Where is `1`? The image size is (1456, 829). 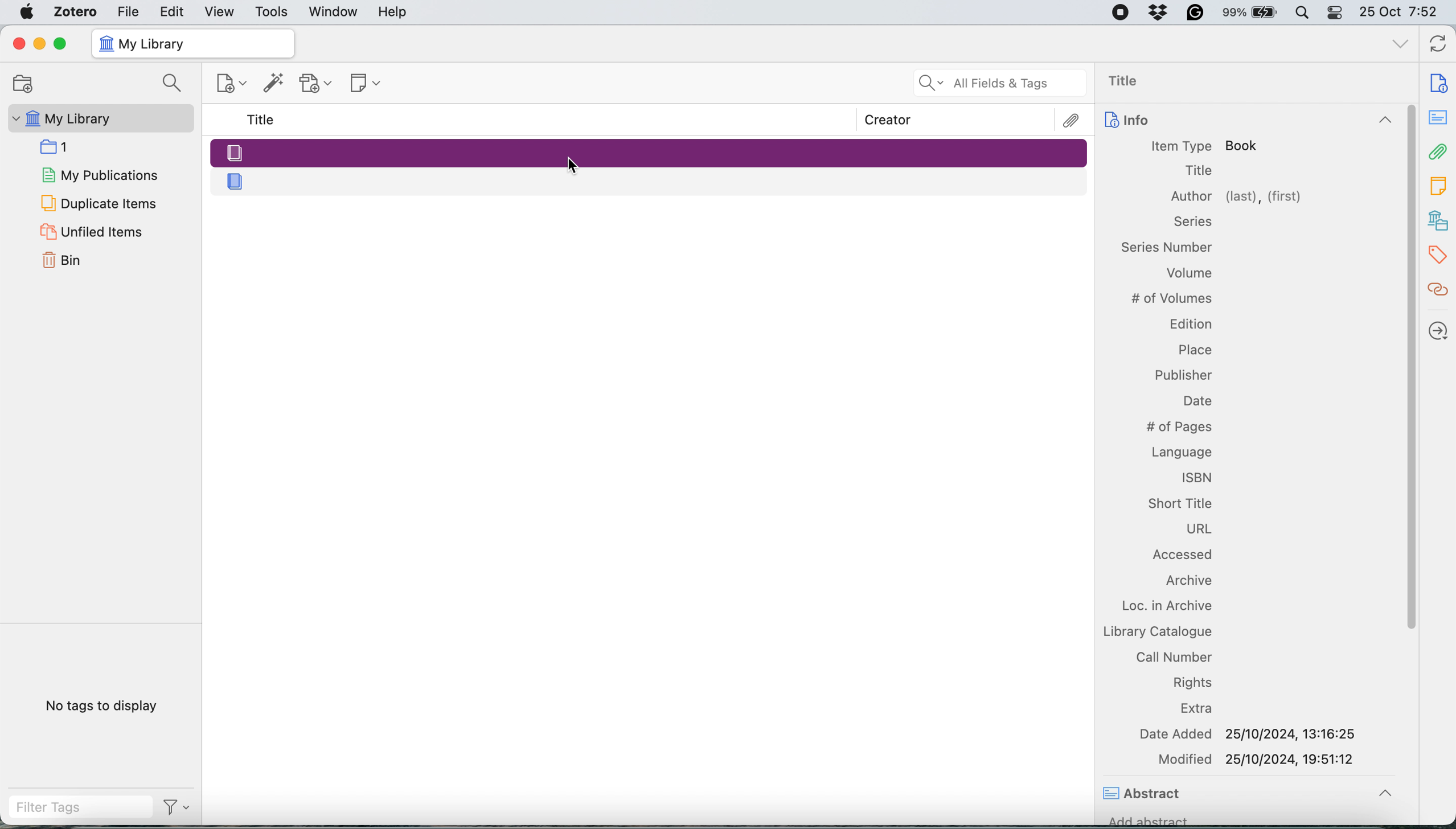
1 is located at coordinates (59, 146).